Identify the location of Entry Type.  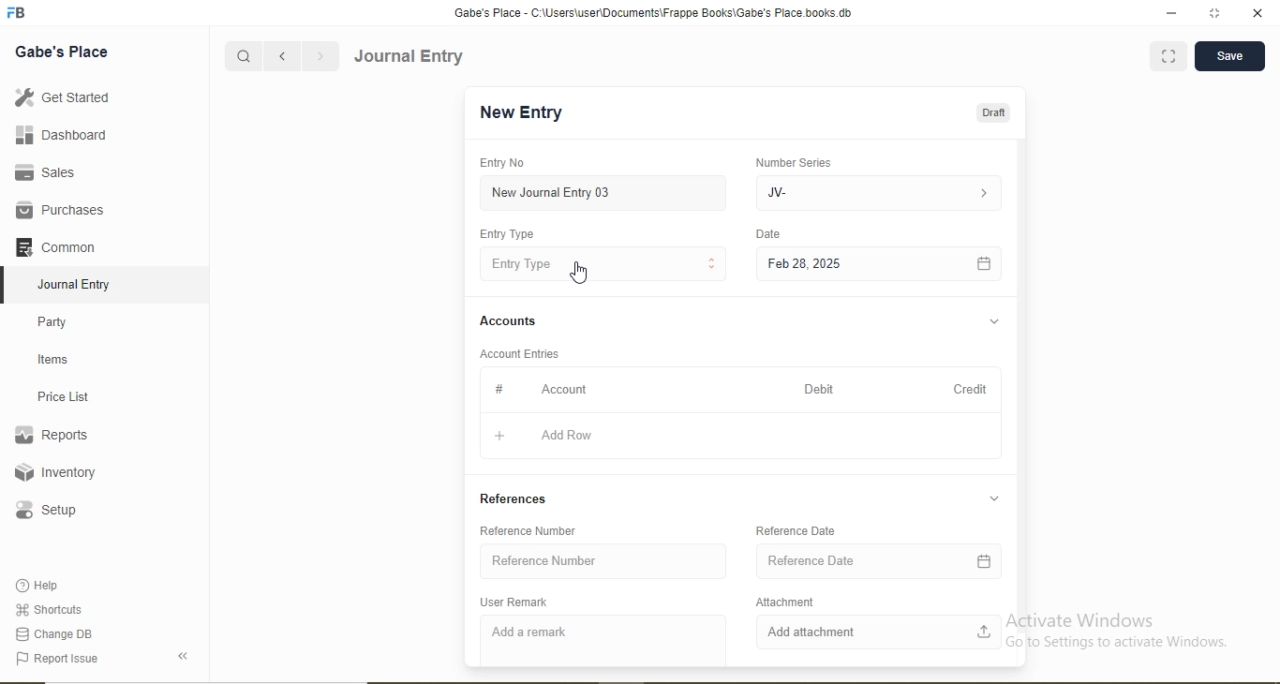
(505, 234).